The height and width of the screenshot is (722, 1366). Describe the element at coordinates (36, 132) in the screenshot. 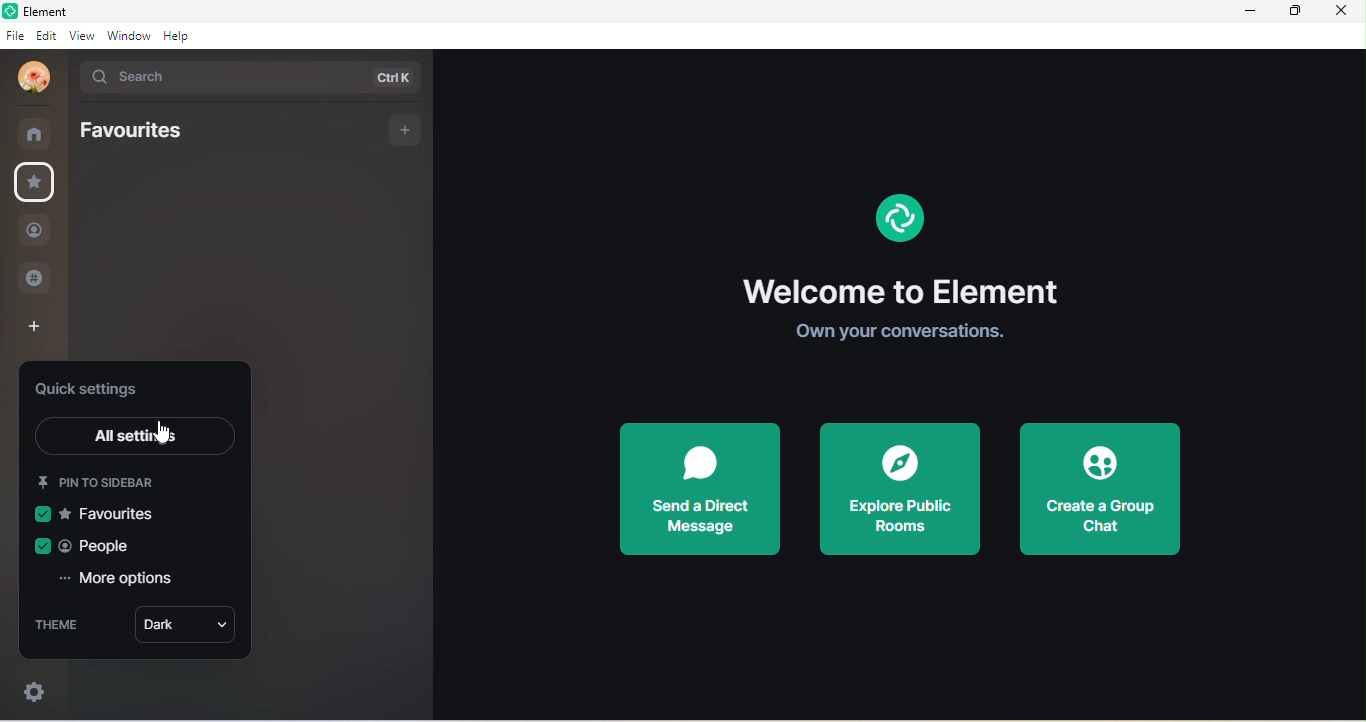

I see `room` at that location.